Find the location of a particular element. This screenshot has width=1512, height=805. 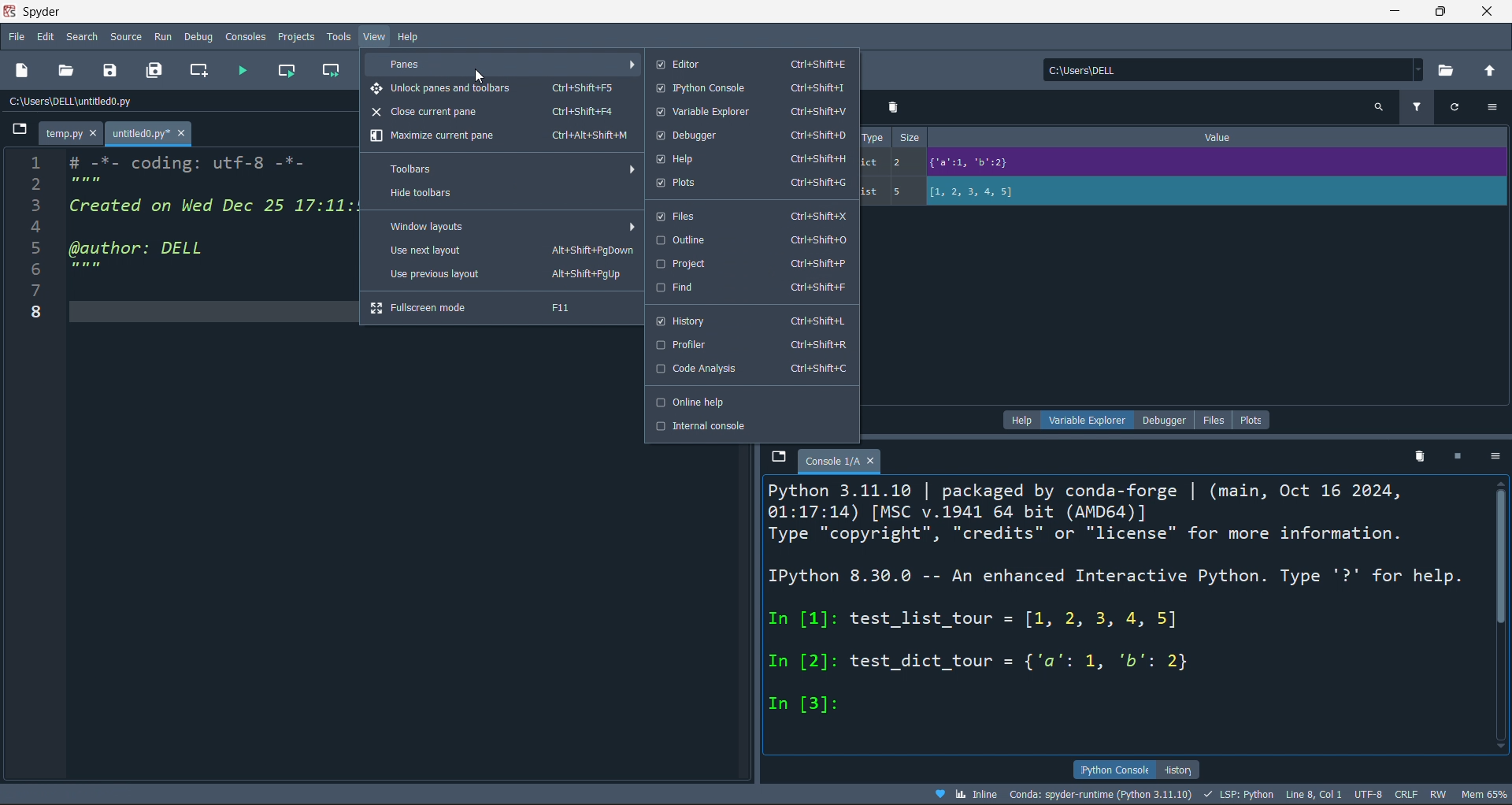

cursor is located at coordinates (476, 77).